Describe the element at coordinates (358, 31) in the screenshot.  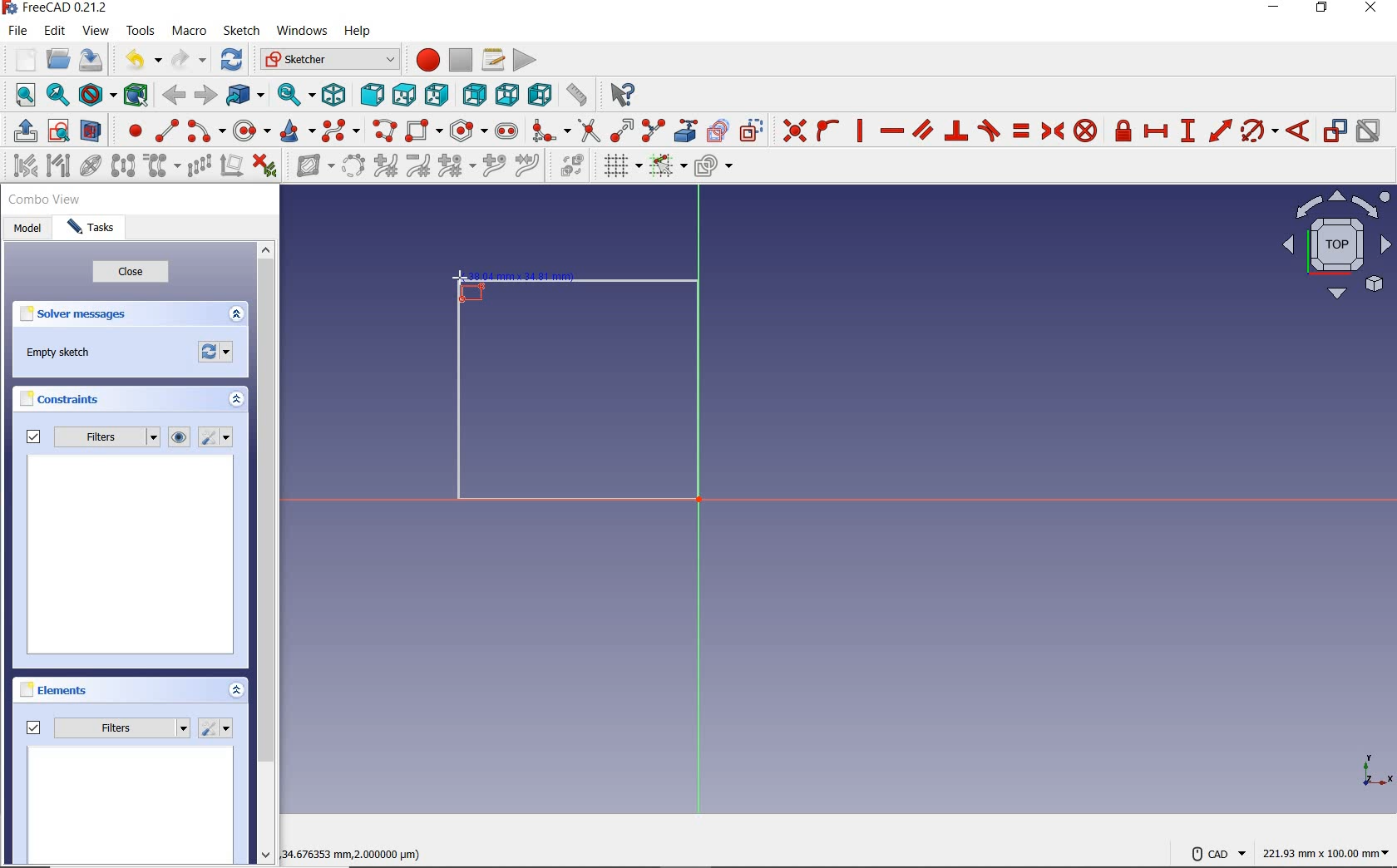
I see `help` at that location.